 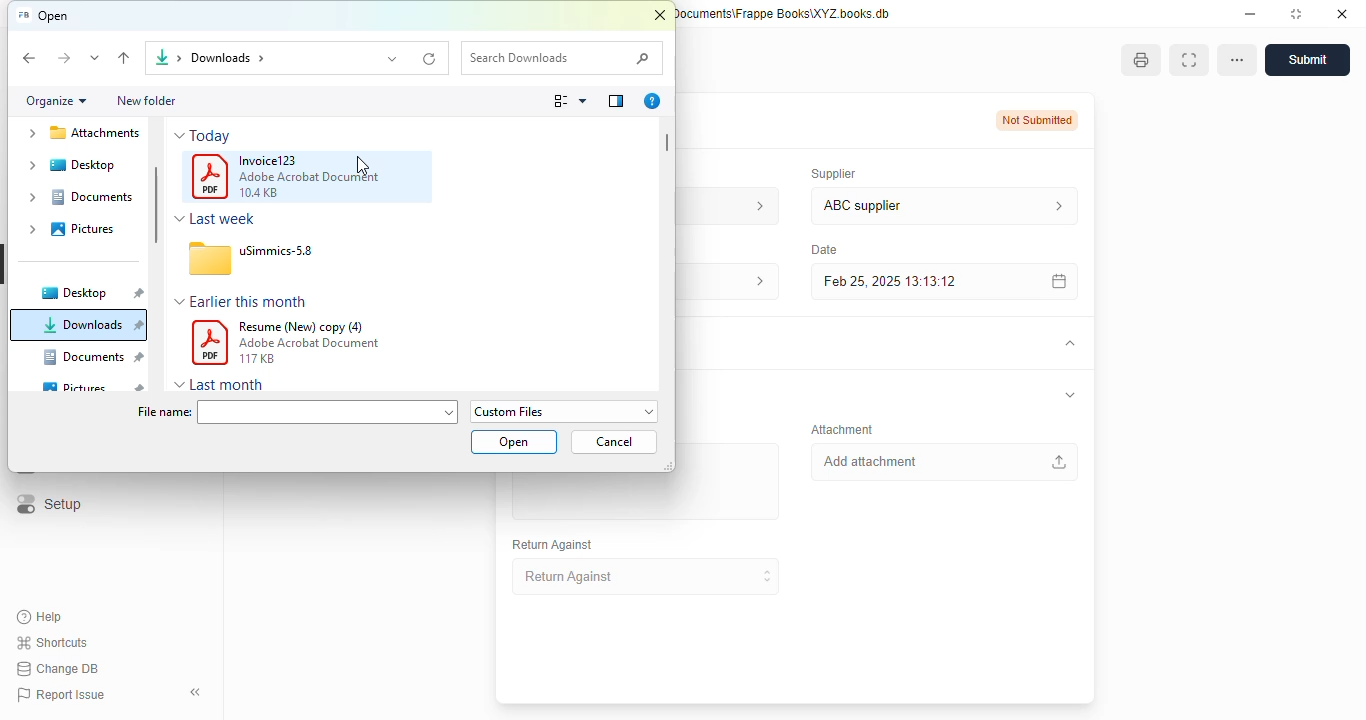 I want to click on shortcuts, so click(x=53, y=642).